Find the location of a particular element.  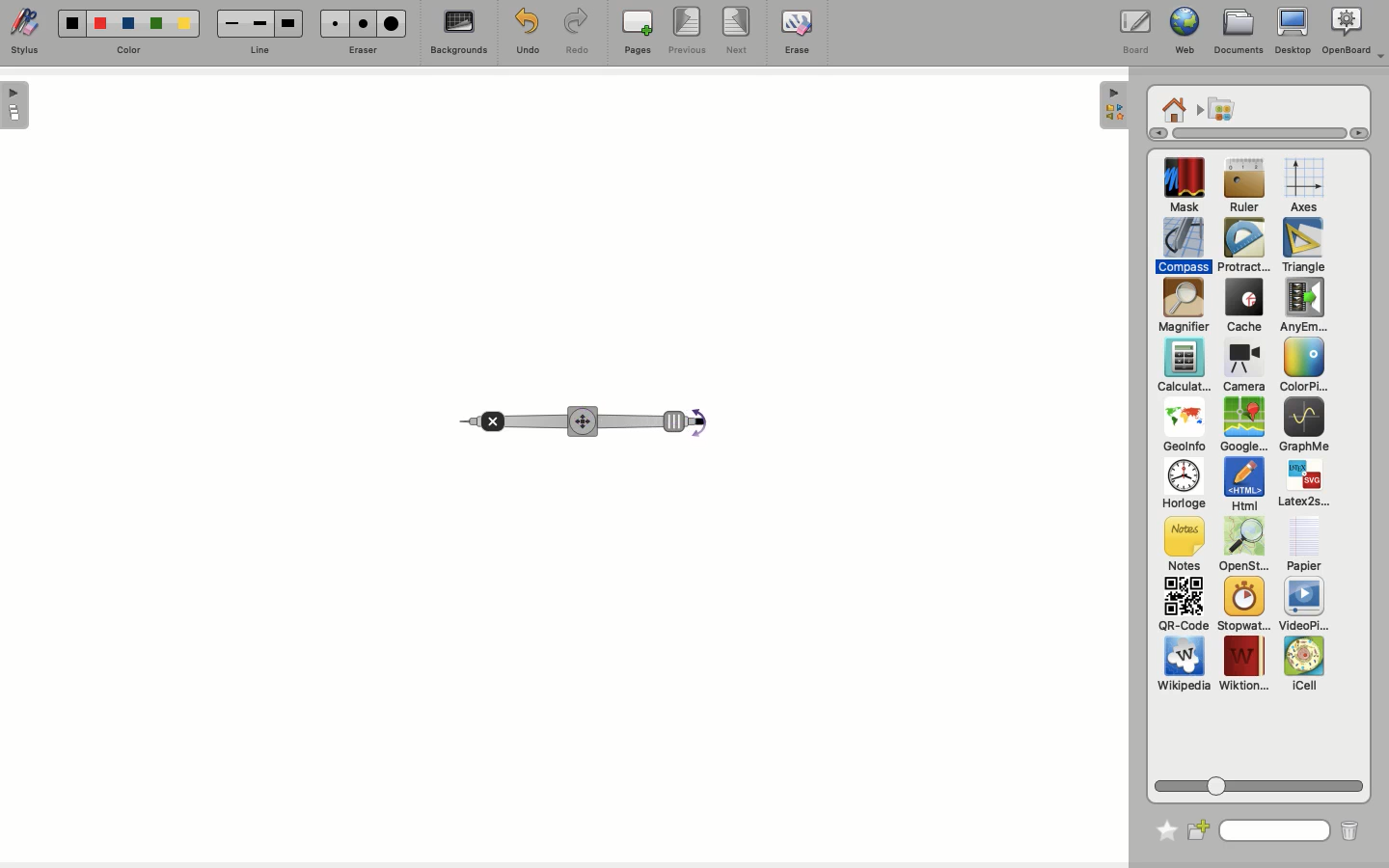

Documents is located at coordinates (1239, 32).